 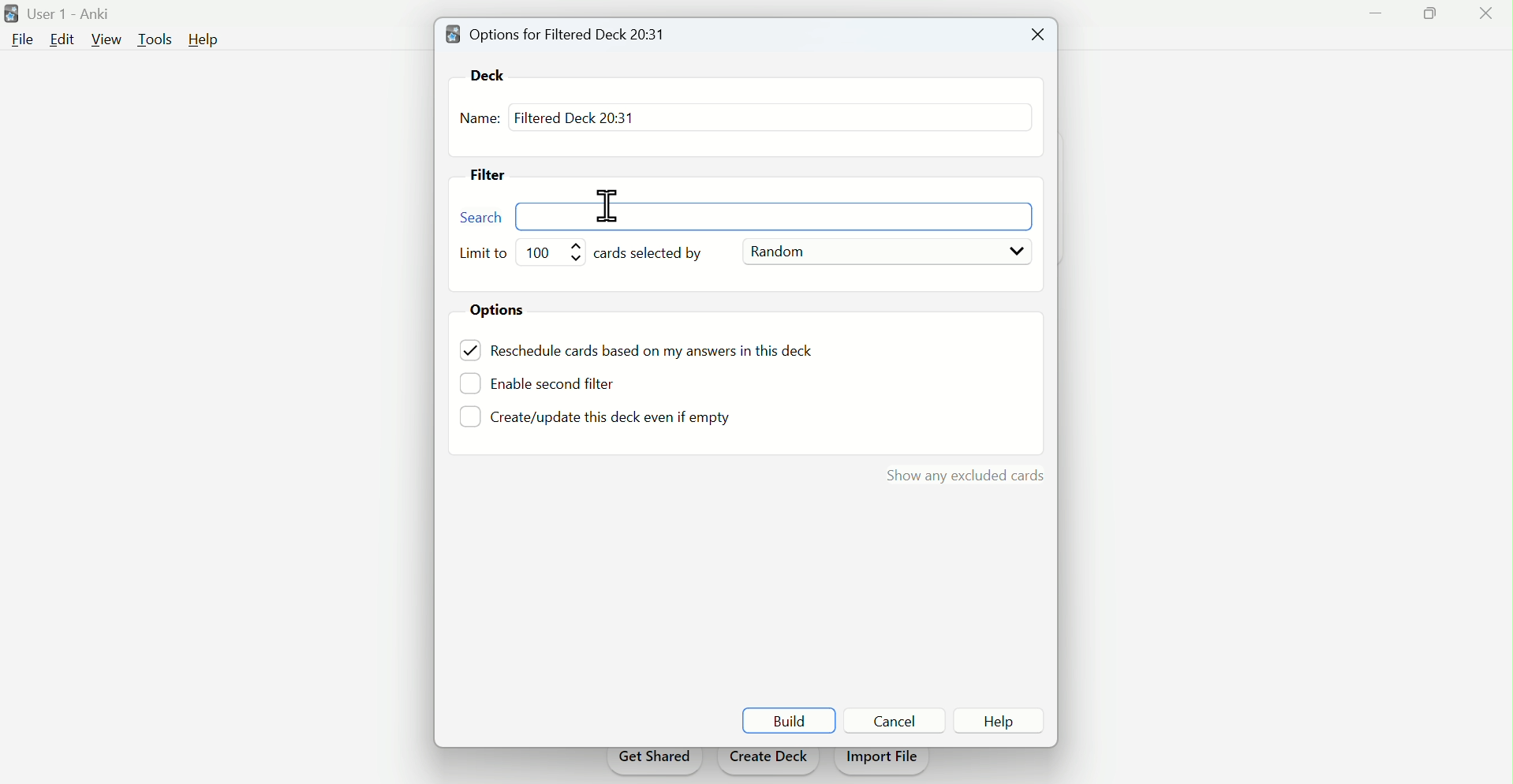 What do you see at coordinates (962, 473) in the screenshot?
I see `show my excluded cards` at bounding box center [962, 473].